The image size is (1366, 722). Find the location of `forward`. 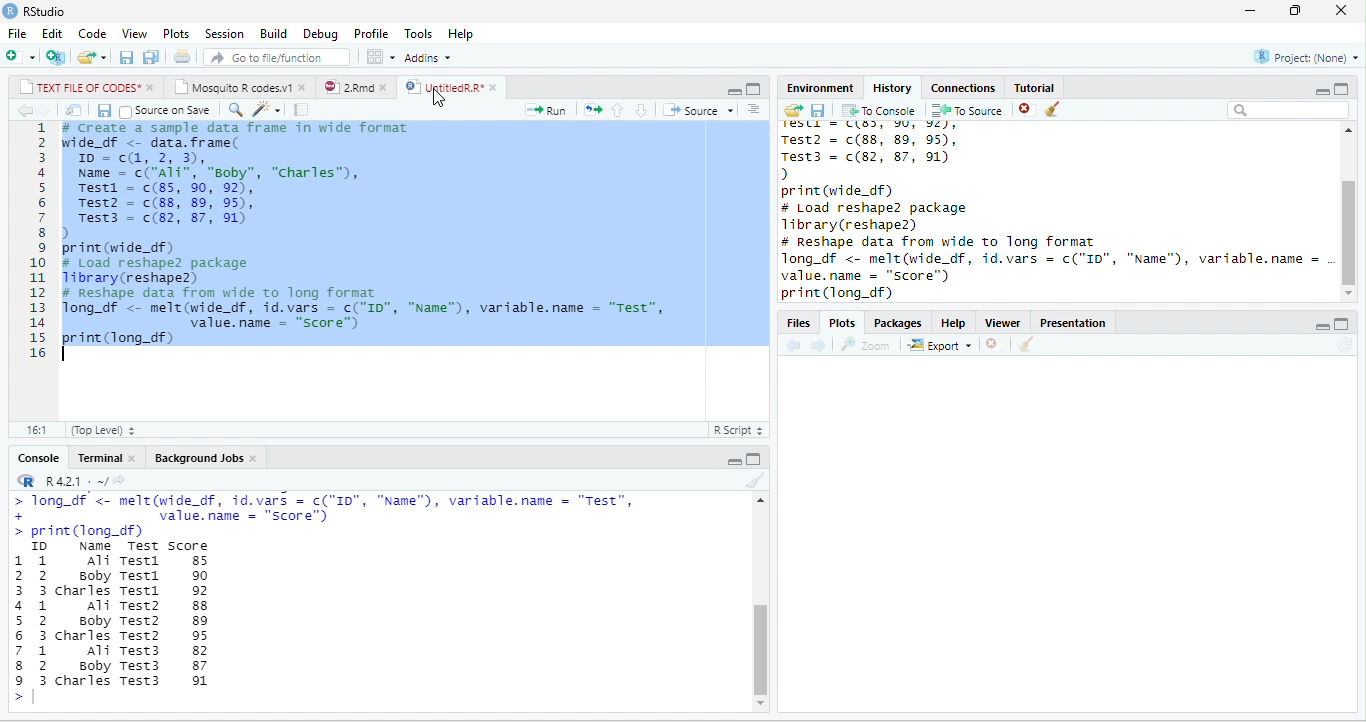

forward is located at coordinates (819, 345).